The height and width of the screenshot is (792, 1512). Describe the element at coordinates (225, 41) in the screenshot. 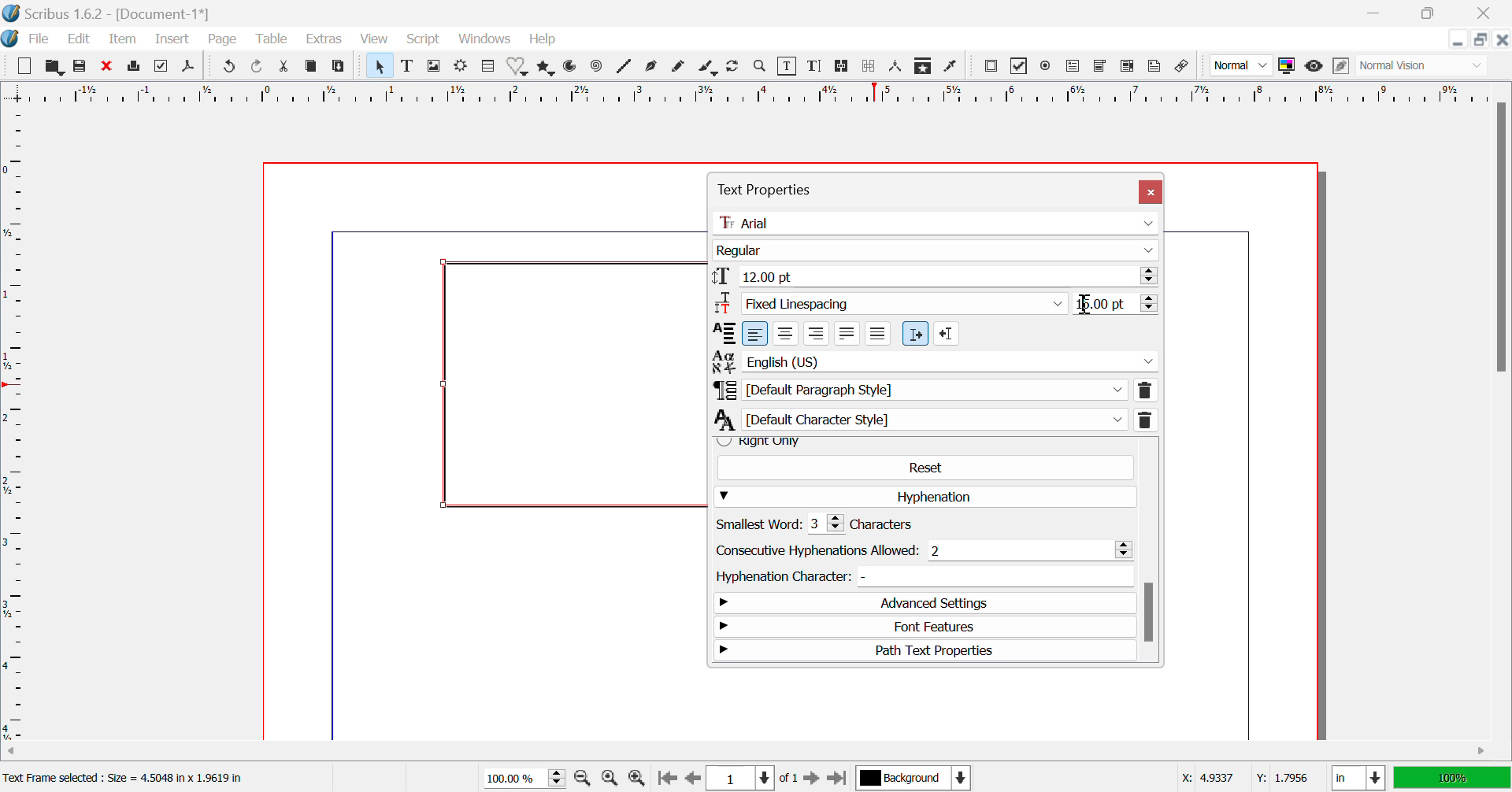

I see `Page` at that location.